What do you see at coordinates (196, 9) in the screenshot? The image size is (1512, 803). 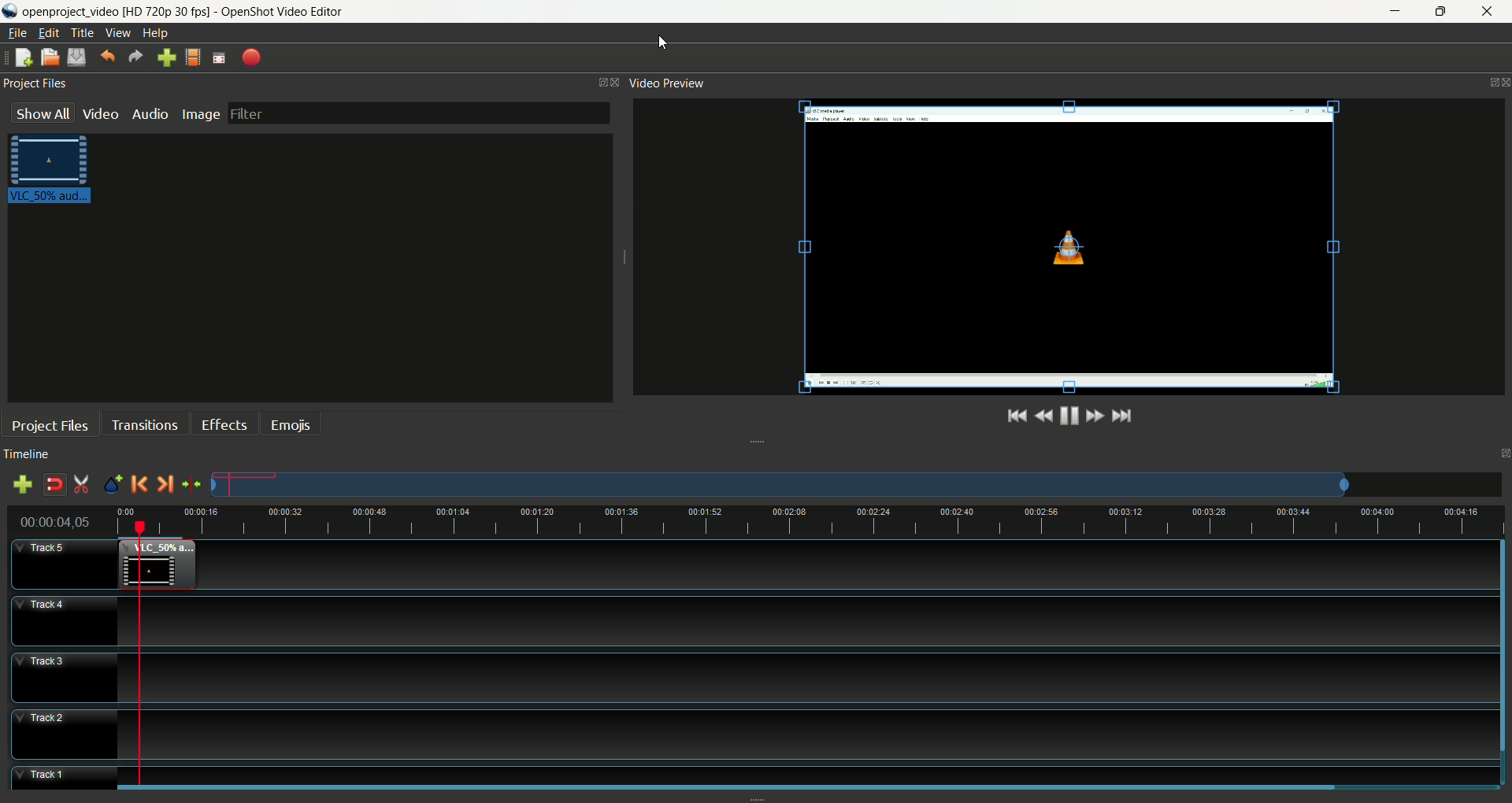 I see `openproject video [HD 720p 30 fps] - OpenShot Video Editor` at bounding box center [196, 9].